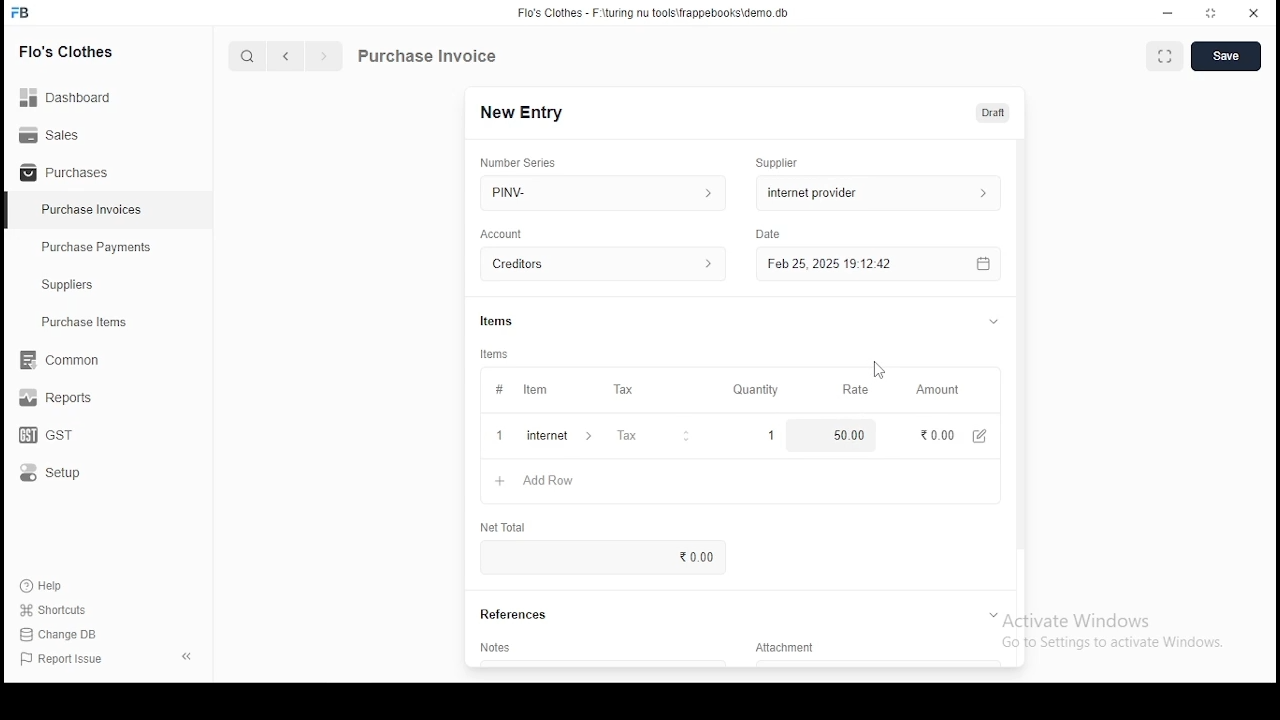 The width and height of the screenshot is (1280, 720). I want to click on new entry, so click(520, 112).